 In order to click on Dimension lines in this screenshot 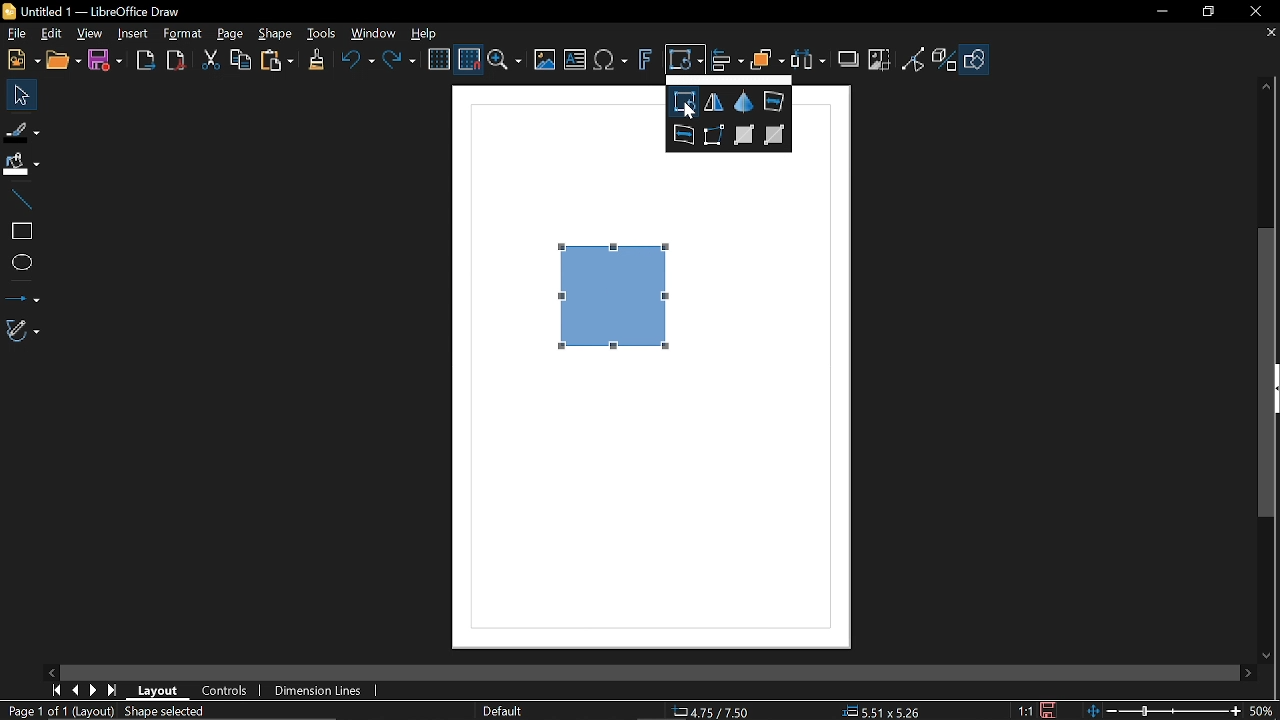, I will do `click(314, 690)`.